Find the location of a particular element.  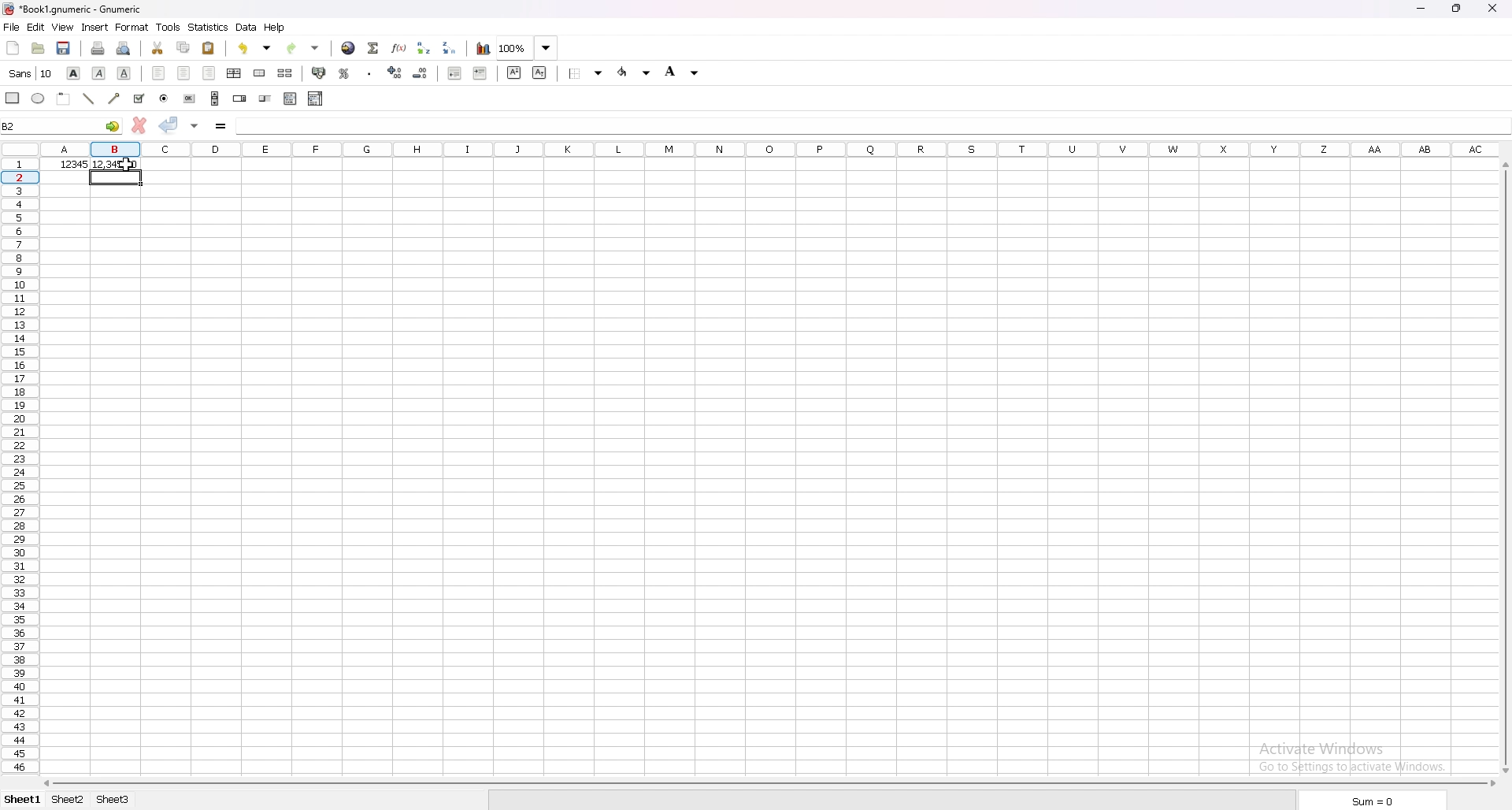

merge cells is located at coordinates (259, 73).